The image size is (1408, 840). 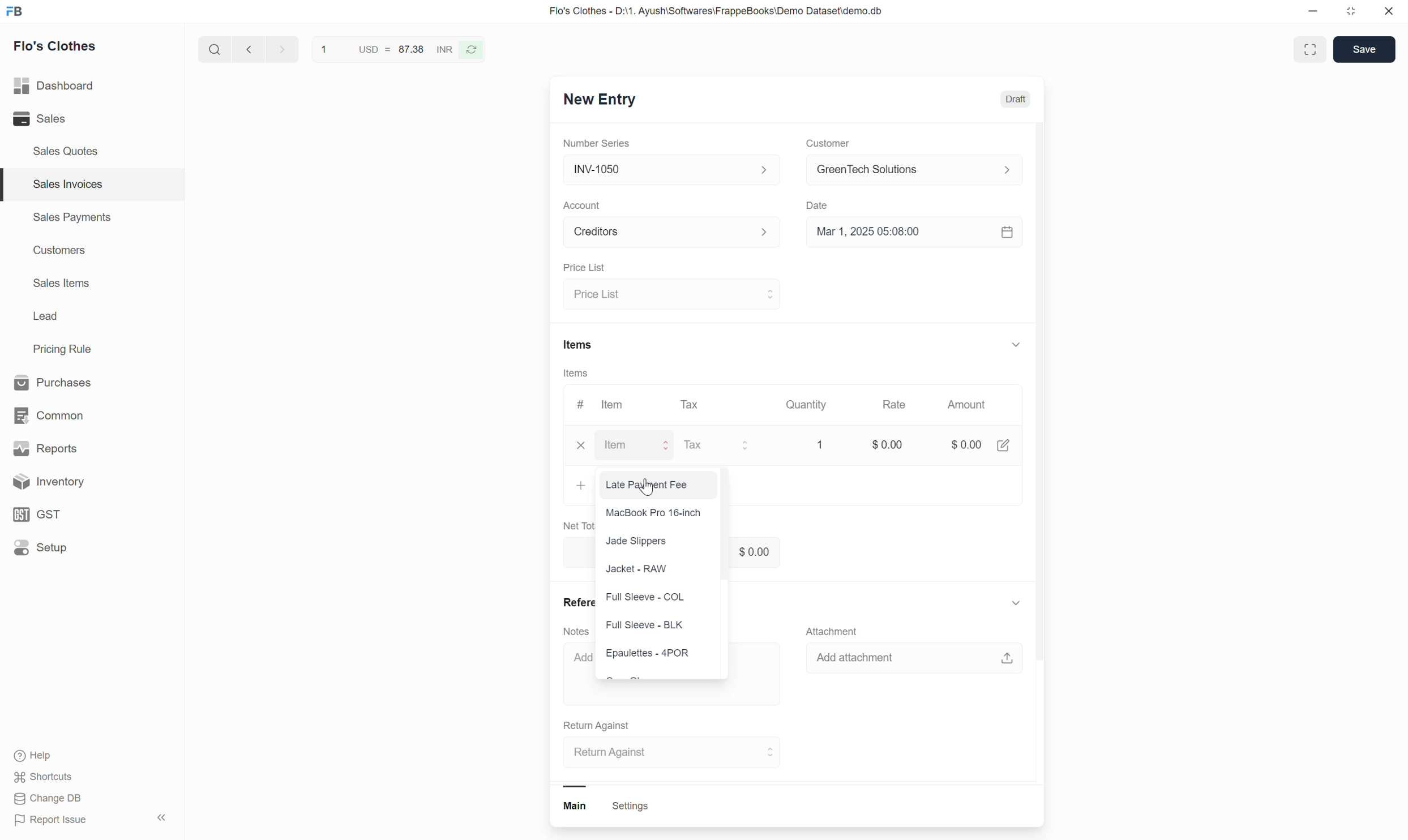 What do you see at coordinates (54, 777) in the screenshot?
I see `shortcuts ` at bounding box center [54, 777].